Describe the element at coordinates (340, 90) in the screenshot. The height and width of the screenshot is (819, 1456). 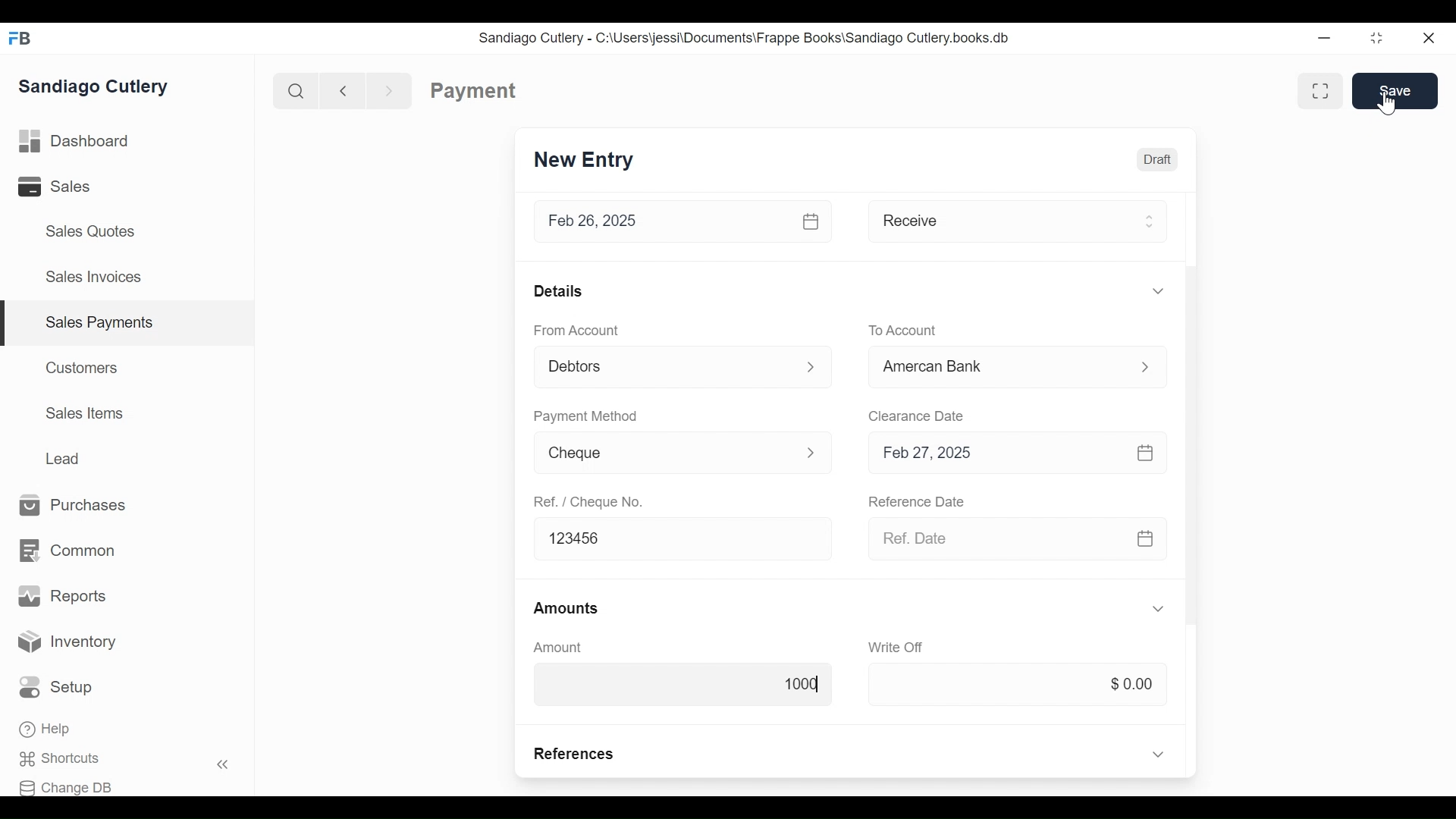
I see `Navigate Back` at that location.